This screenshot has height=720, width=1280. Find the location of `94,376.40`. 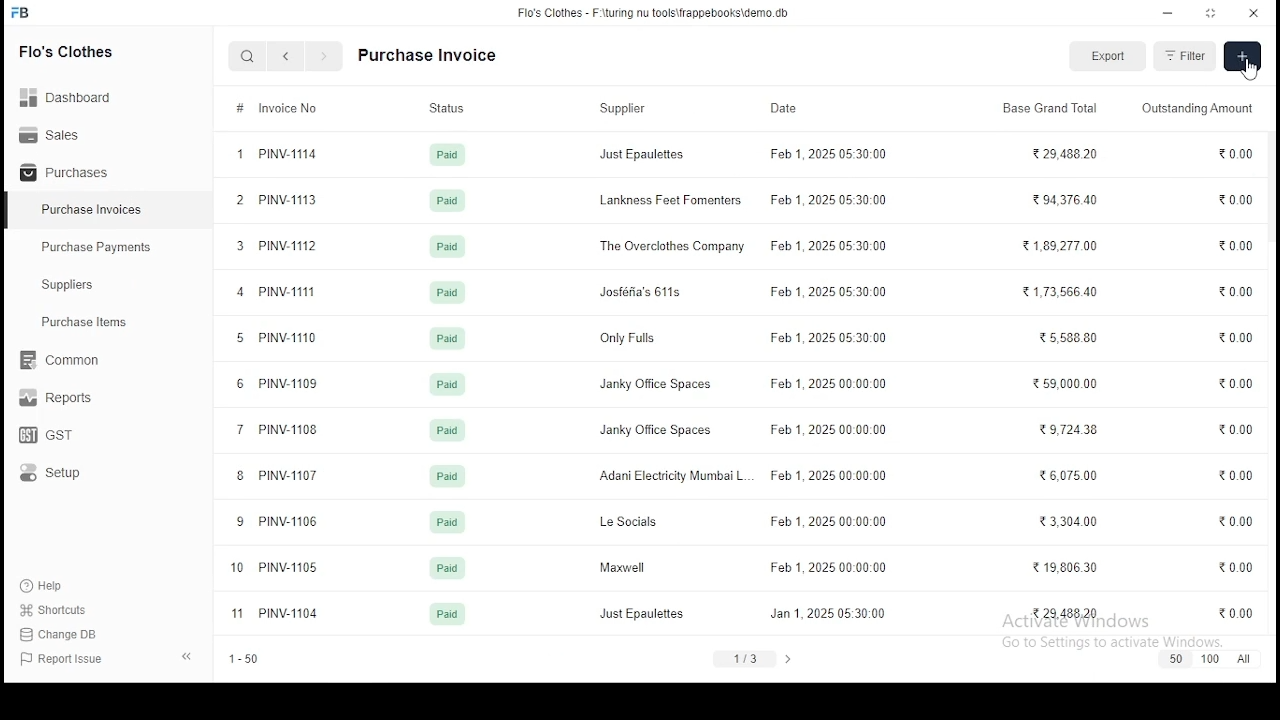

94,376.40 is located at coordinates (1068, 199).